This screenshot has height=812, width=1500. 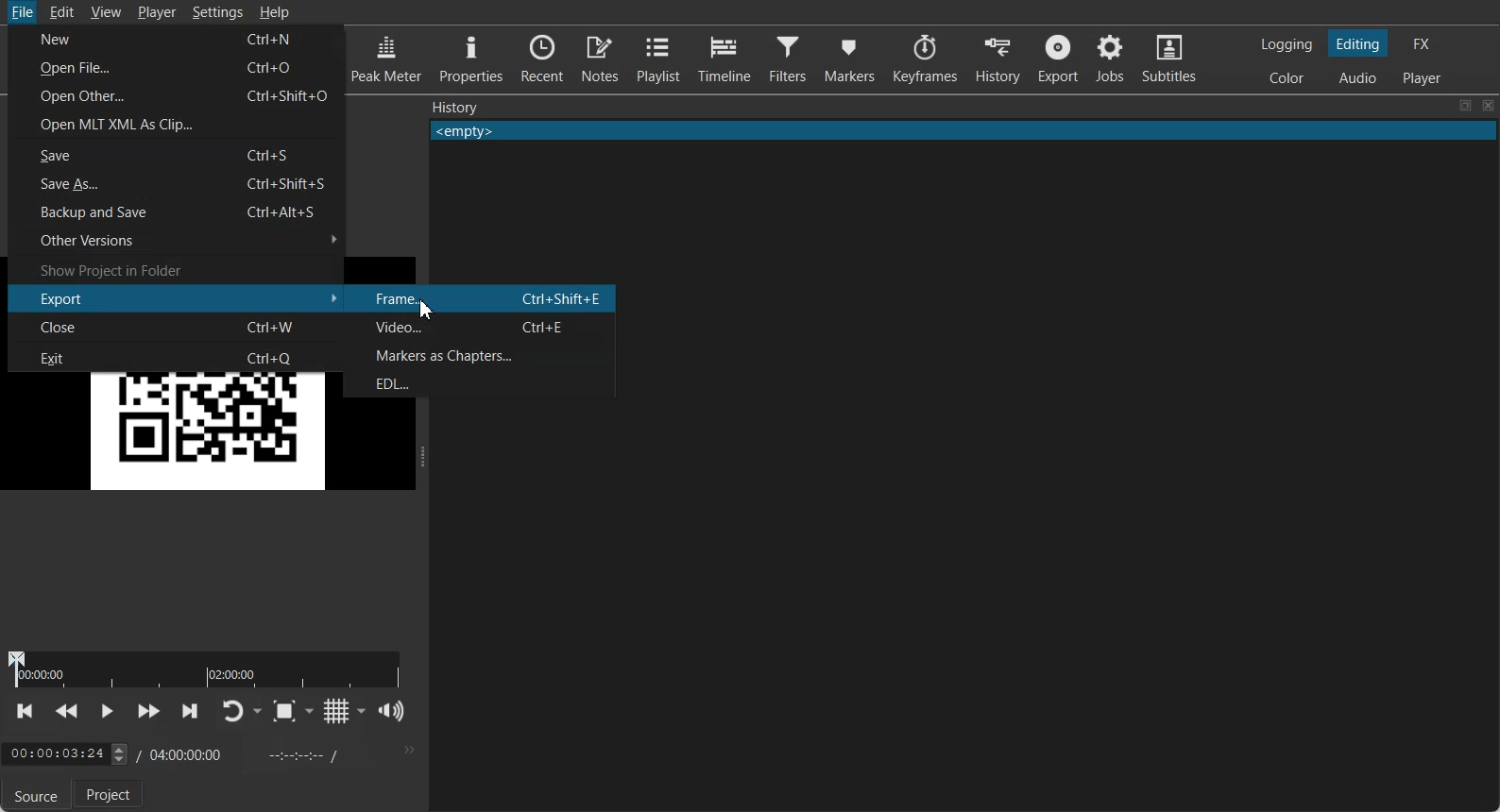 I want to click on New, so click(x=102, y=40).